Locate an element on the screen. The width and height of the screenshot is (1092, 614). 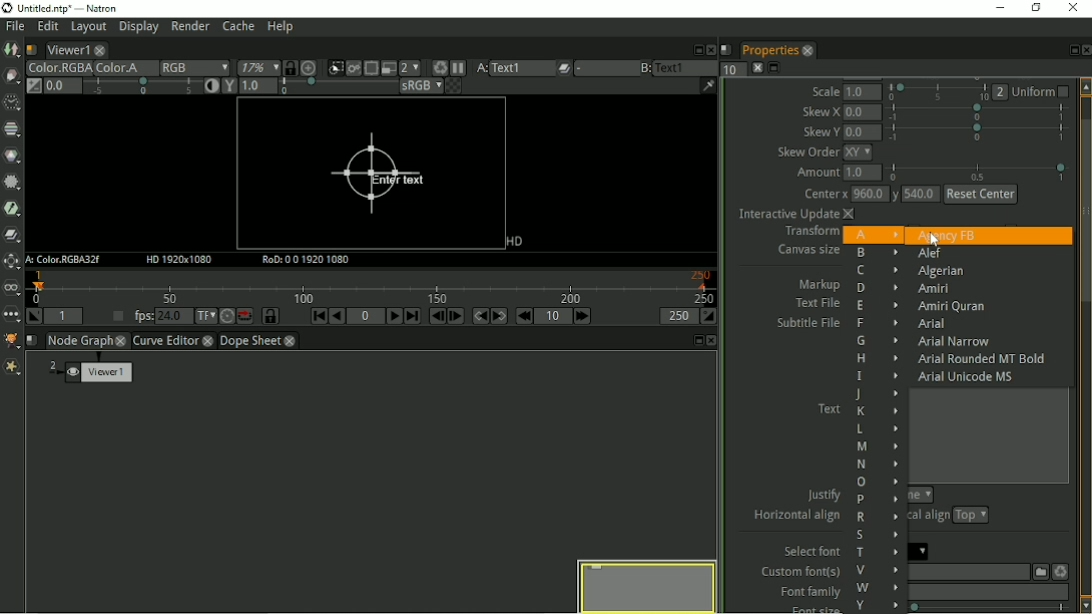
Extra is located at coordinates (12, 368).